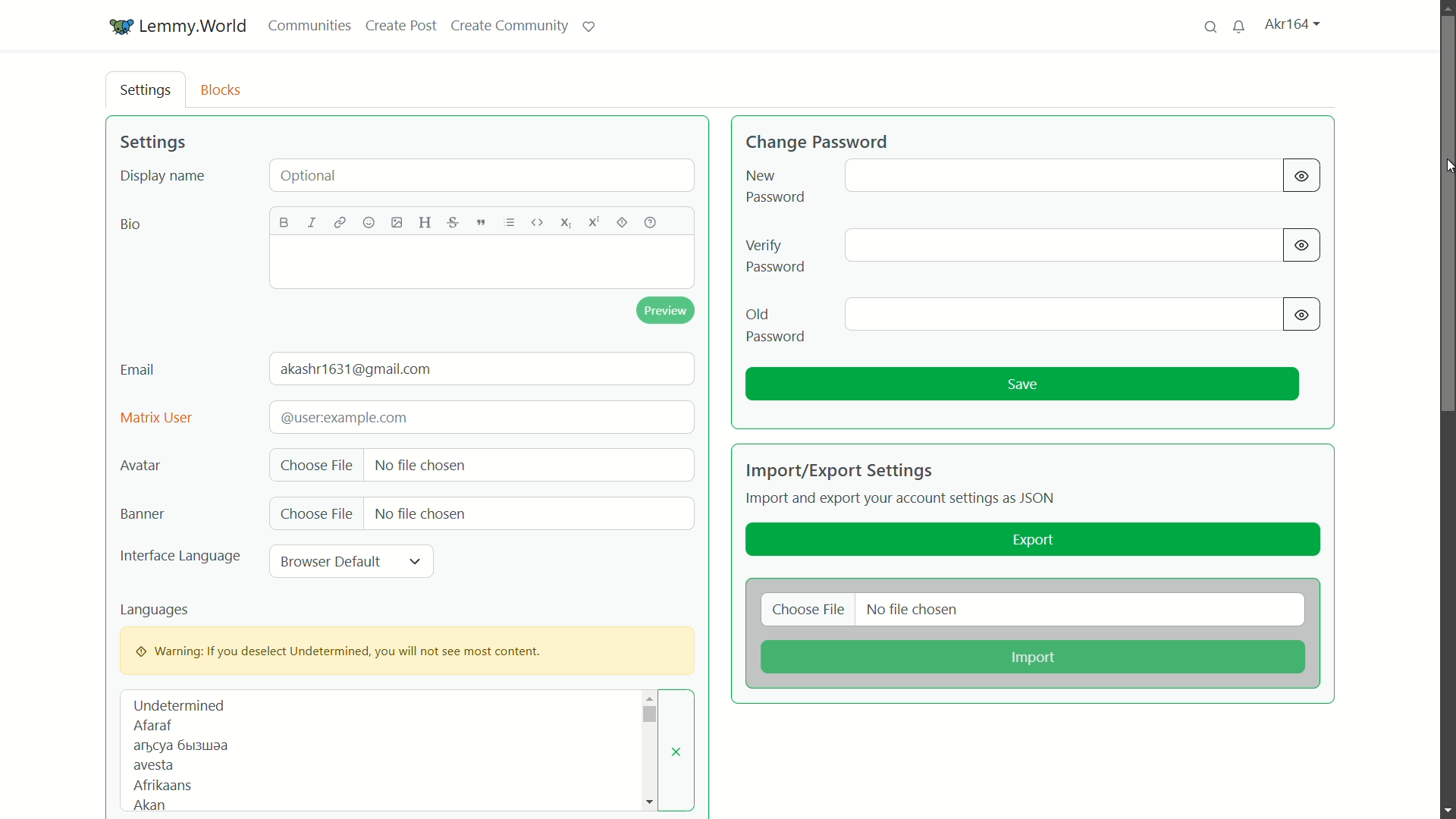 Image resolution: width=1456 pixels, height=819 pixels. I want to click on image, so click(395, 222).